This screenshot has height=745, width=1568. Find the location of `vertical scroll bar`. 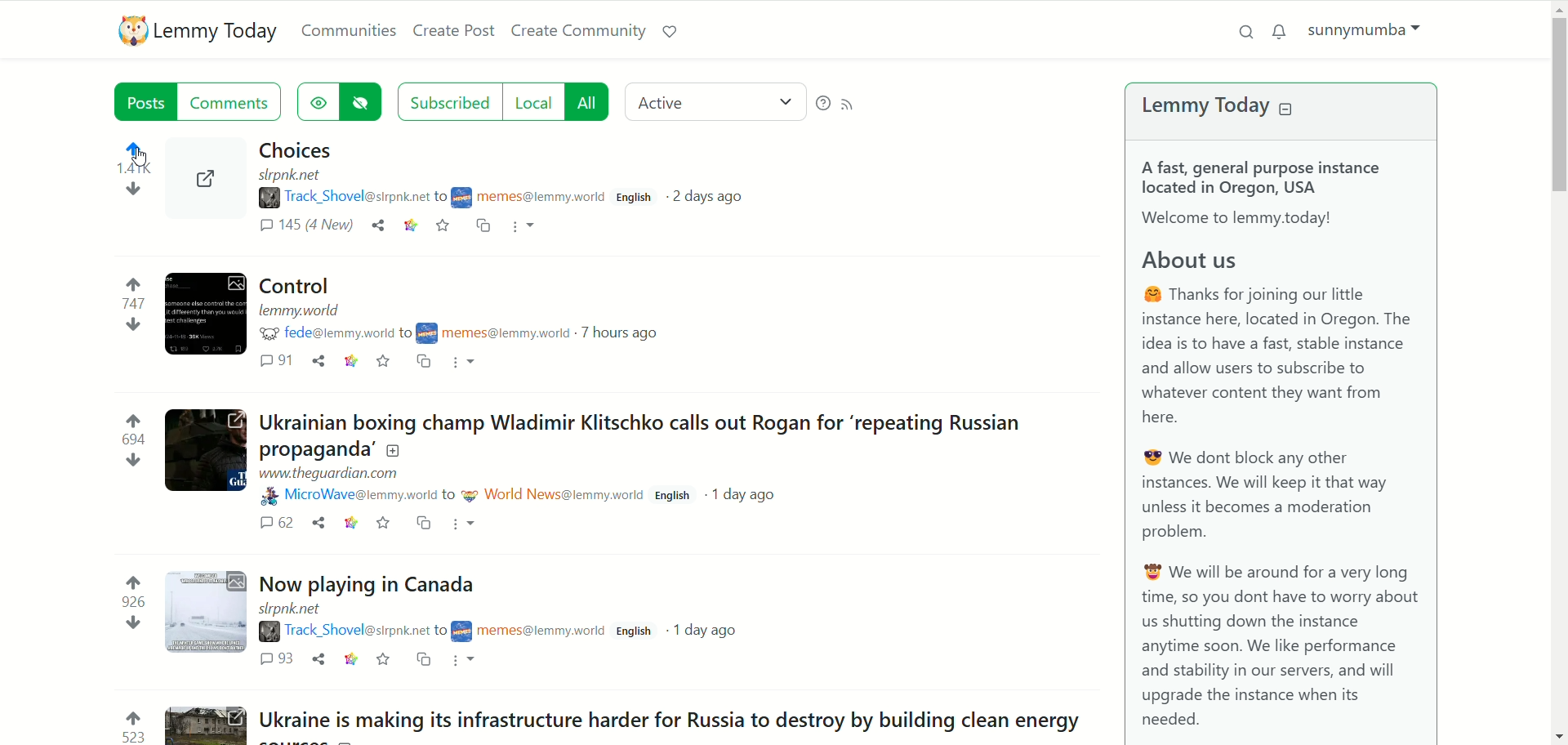

vertical scroll bar is located at coordinates (1557, 370).